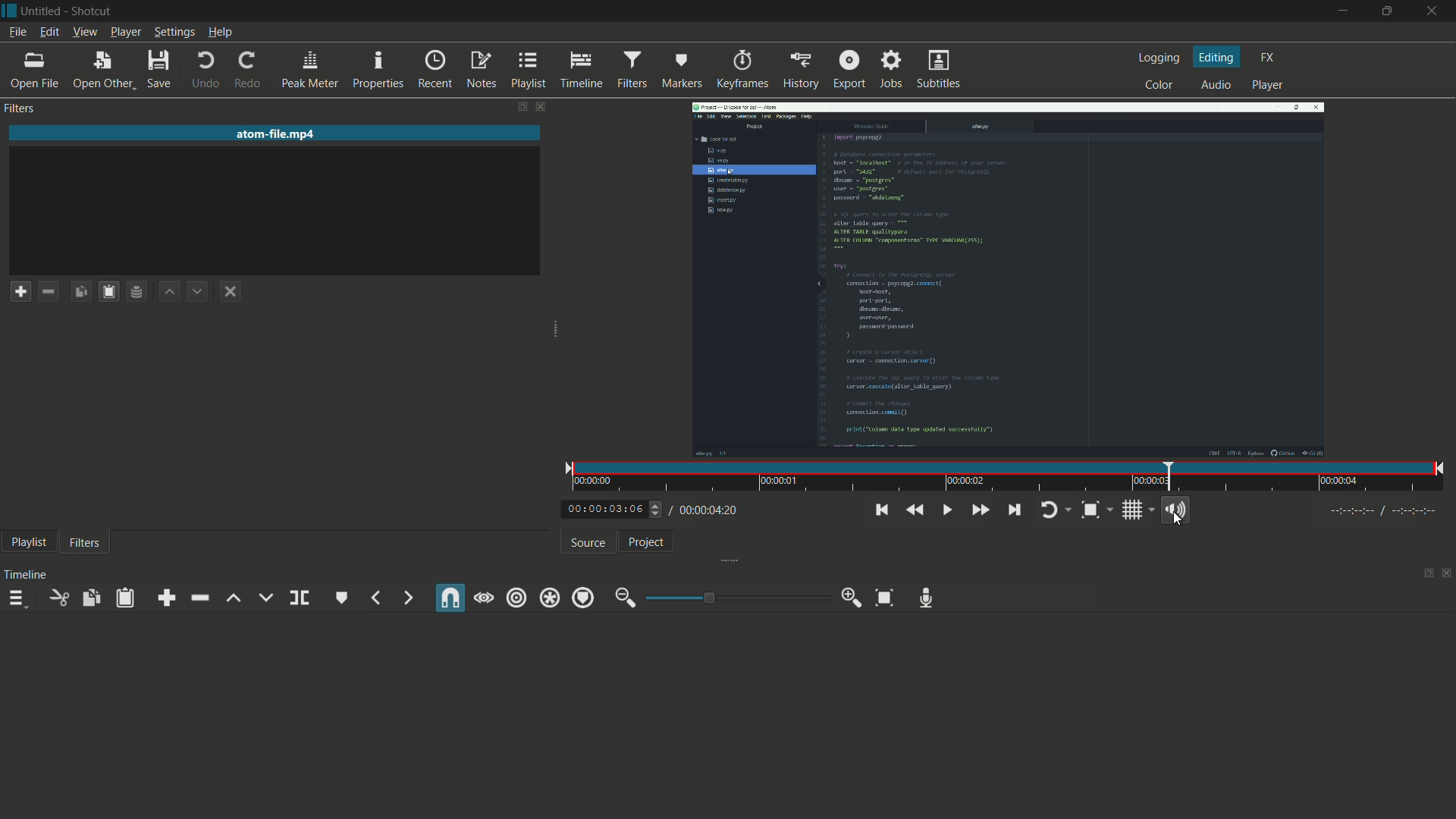  Describe the element at coordinates (946, 510) in the screenshot. I see `toggle play or pause` at that location.